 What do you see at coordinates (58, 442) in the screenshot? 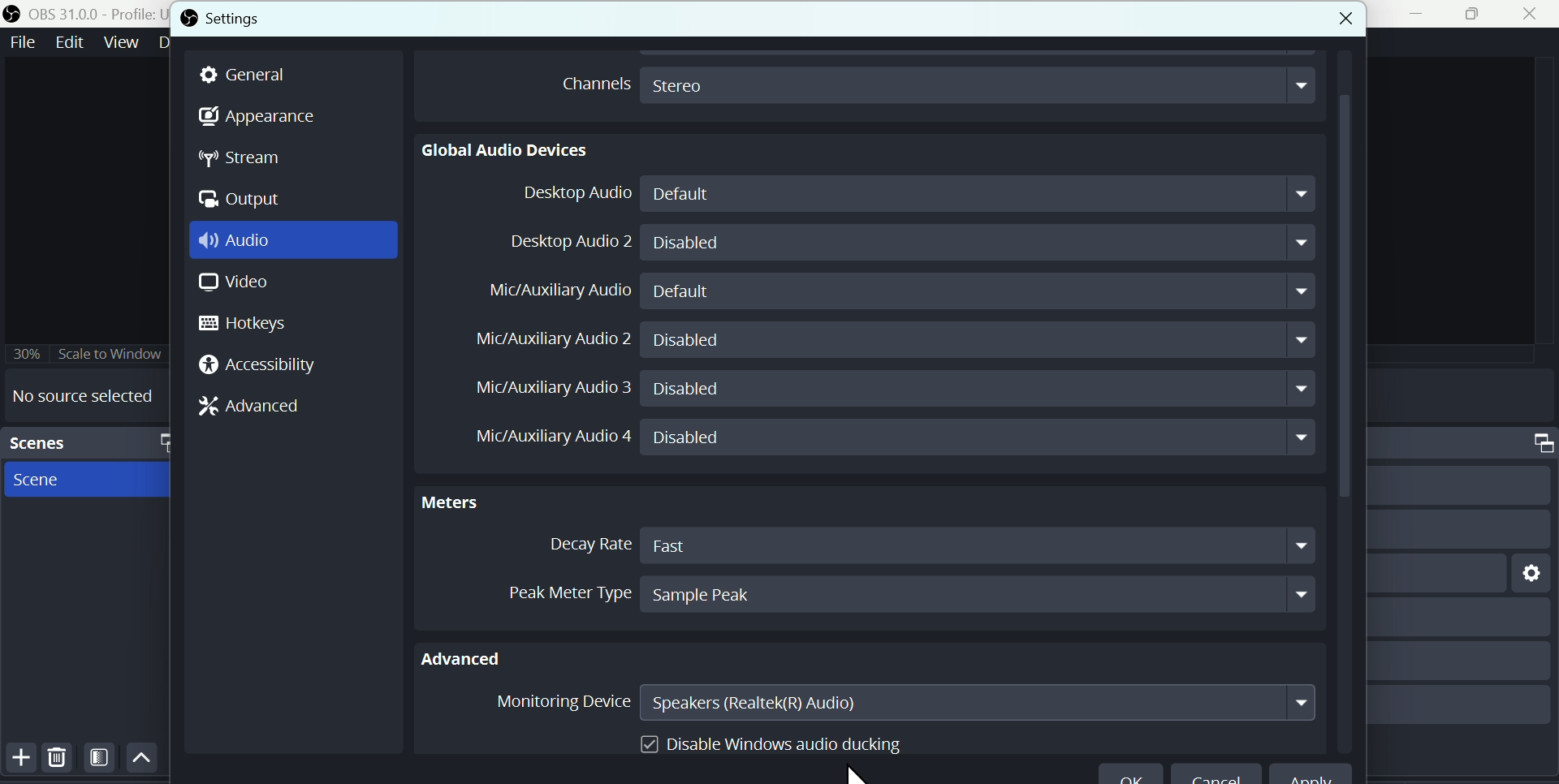
I see `Scenes` at bounding box center [58, 442].